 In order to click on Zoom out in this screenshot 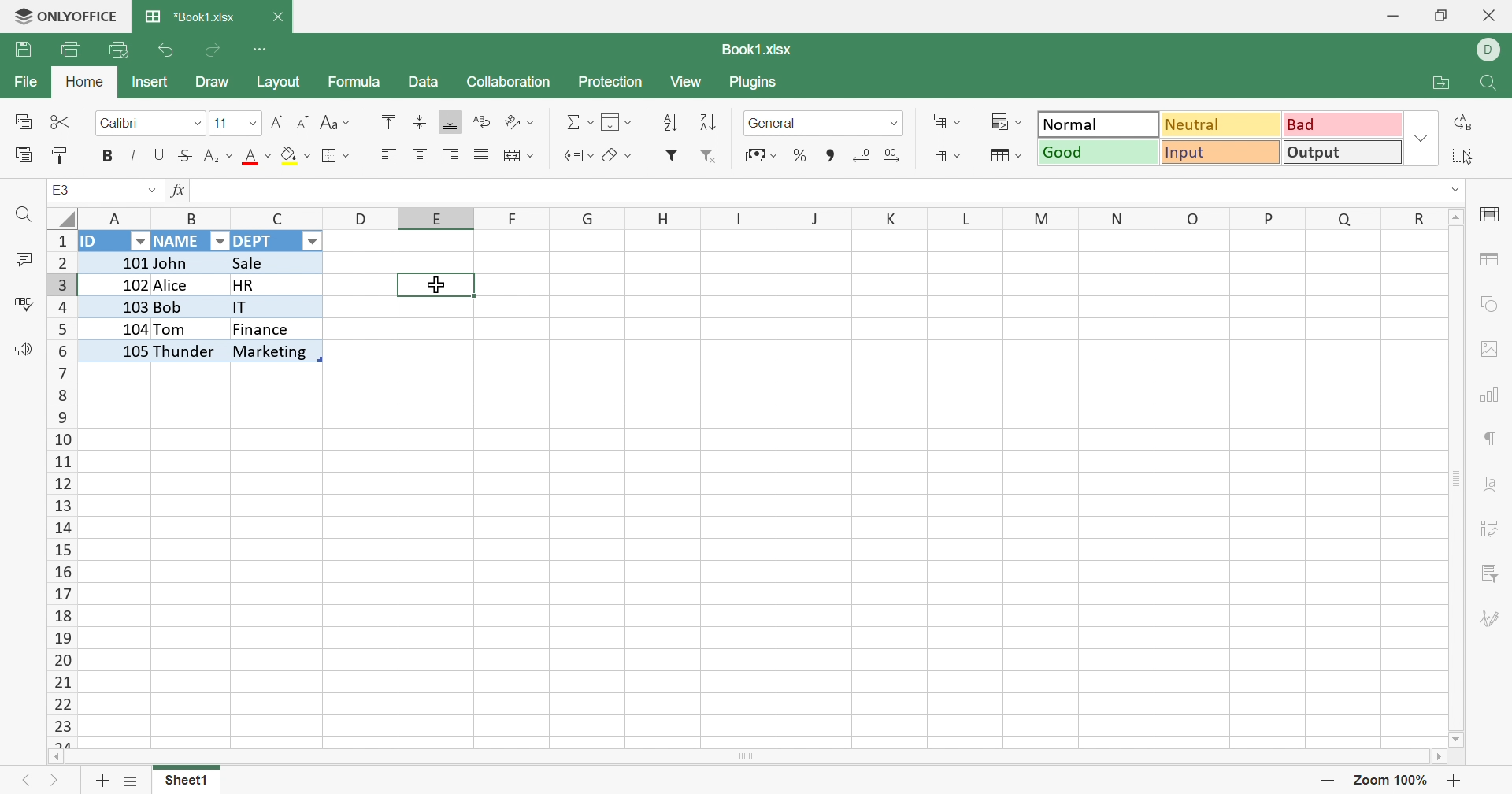, I will do `click(1330, 780)`.